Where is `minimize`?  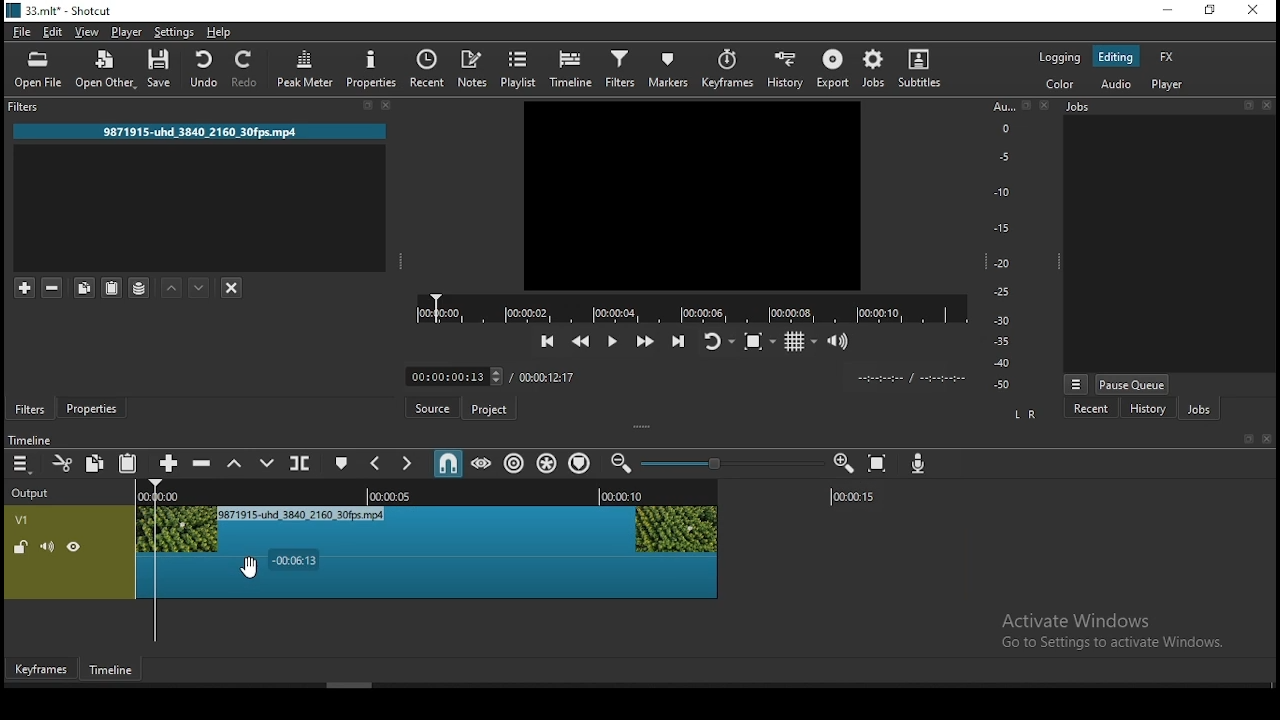
minimize is located at coordinates (1167, 11).